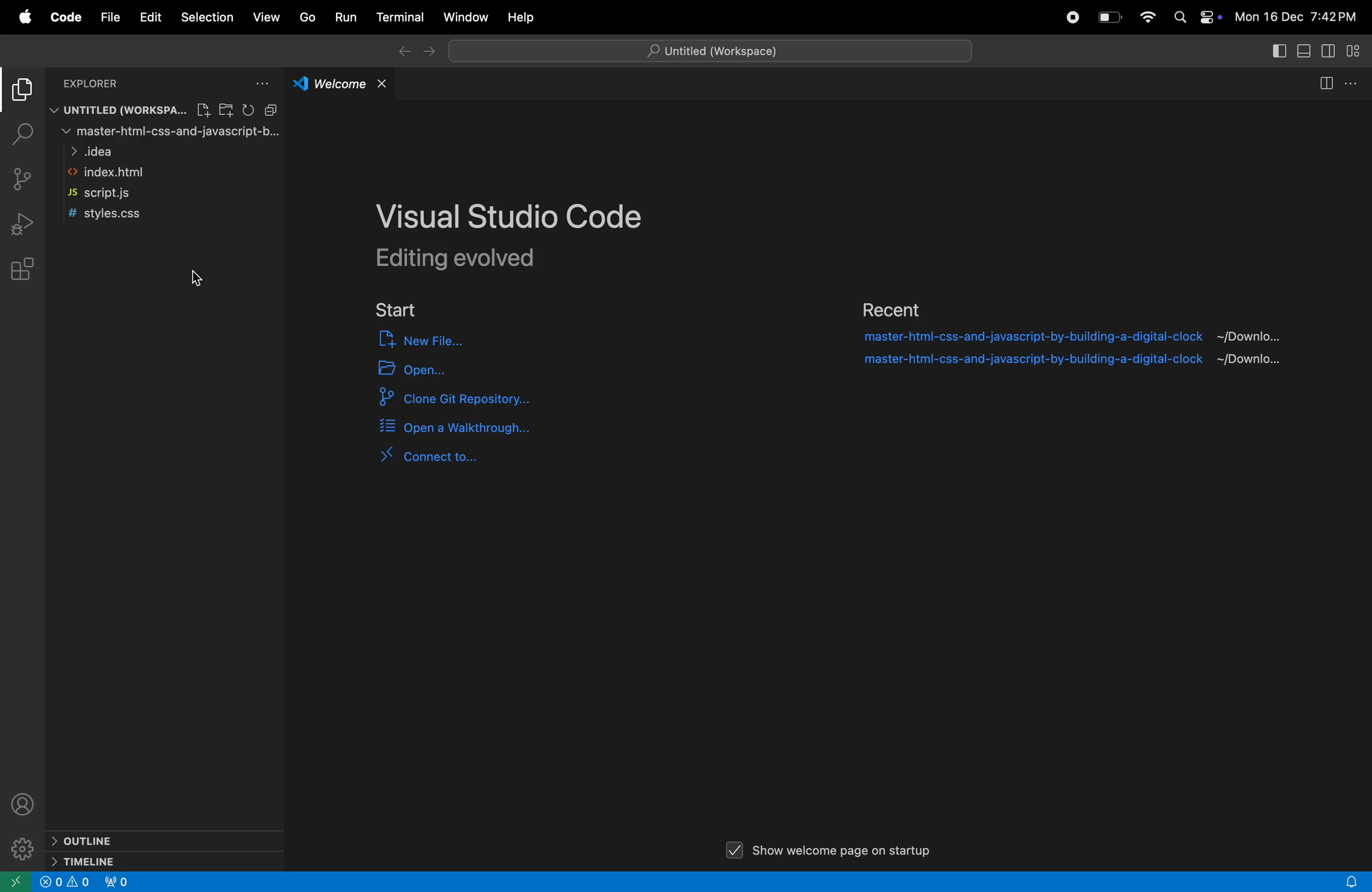 The width and height of the screenshot is (1372, 892). What do you see at coordinates (430, 52) in the screenshot?
I see `forward` at bounding box center [430, 52].